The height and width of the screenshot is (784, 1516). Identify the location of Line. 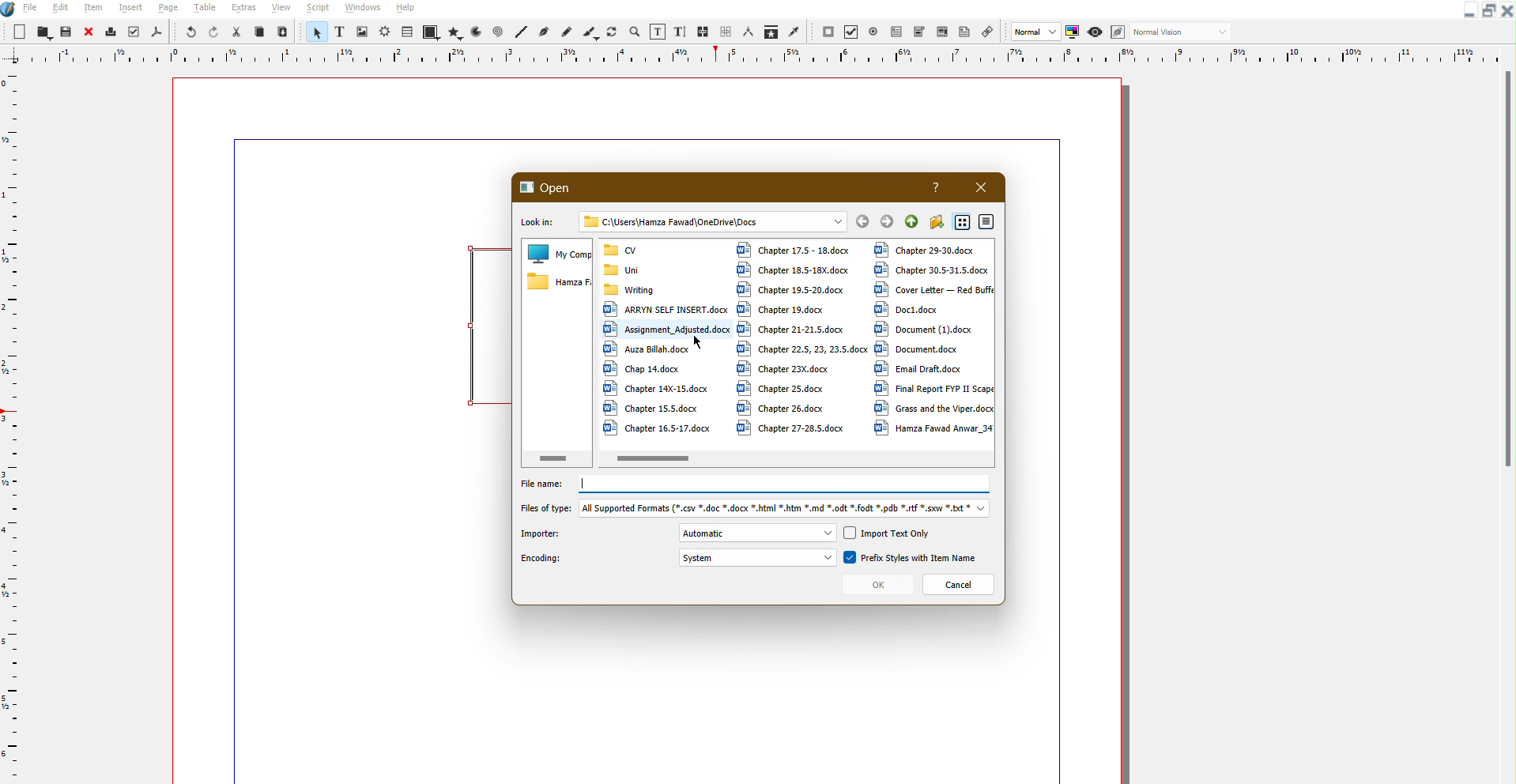
(522, 32).